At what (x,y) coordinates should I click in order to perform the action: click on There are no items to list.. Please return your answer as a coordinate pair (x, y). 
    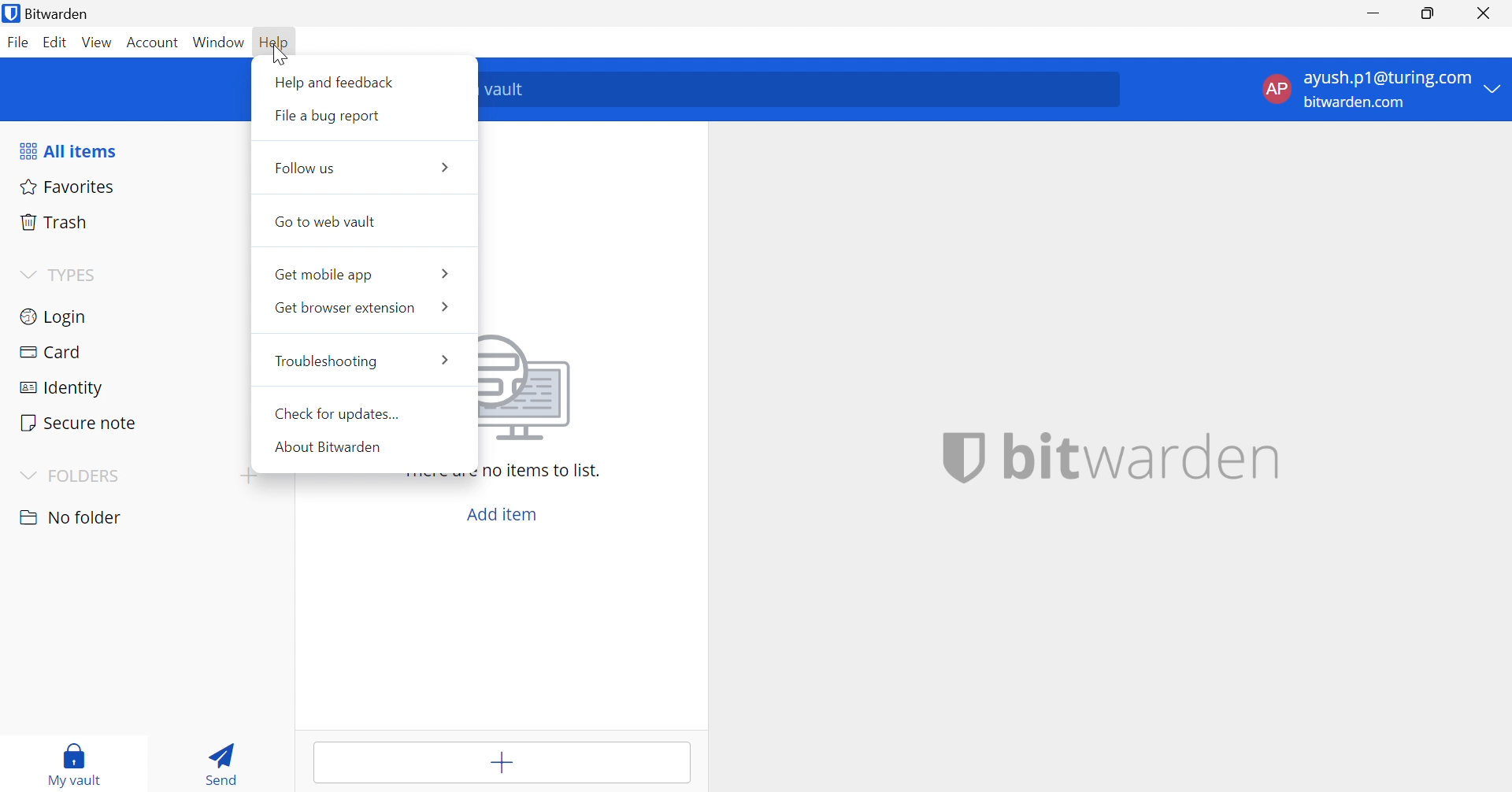
    Looking at the image, I should click on (547, 471).